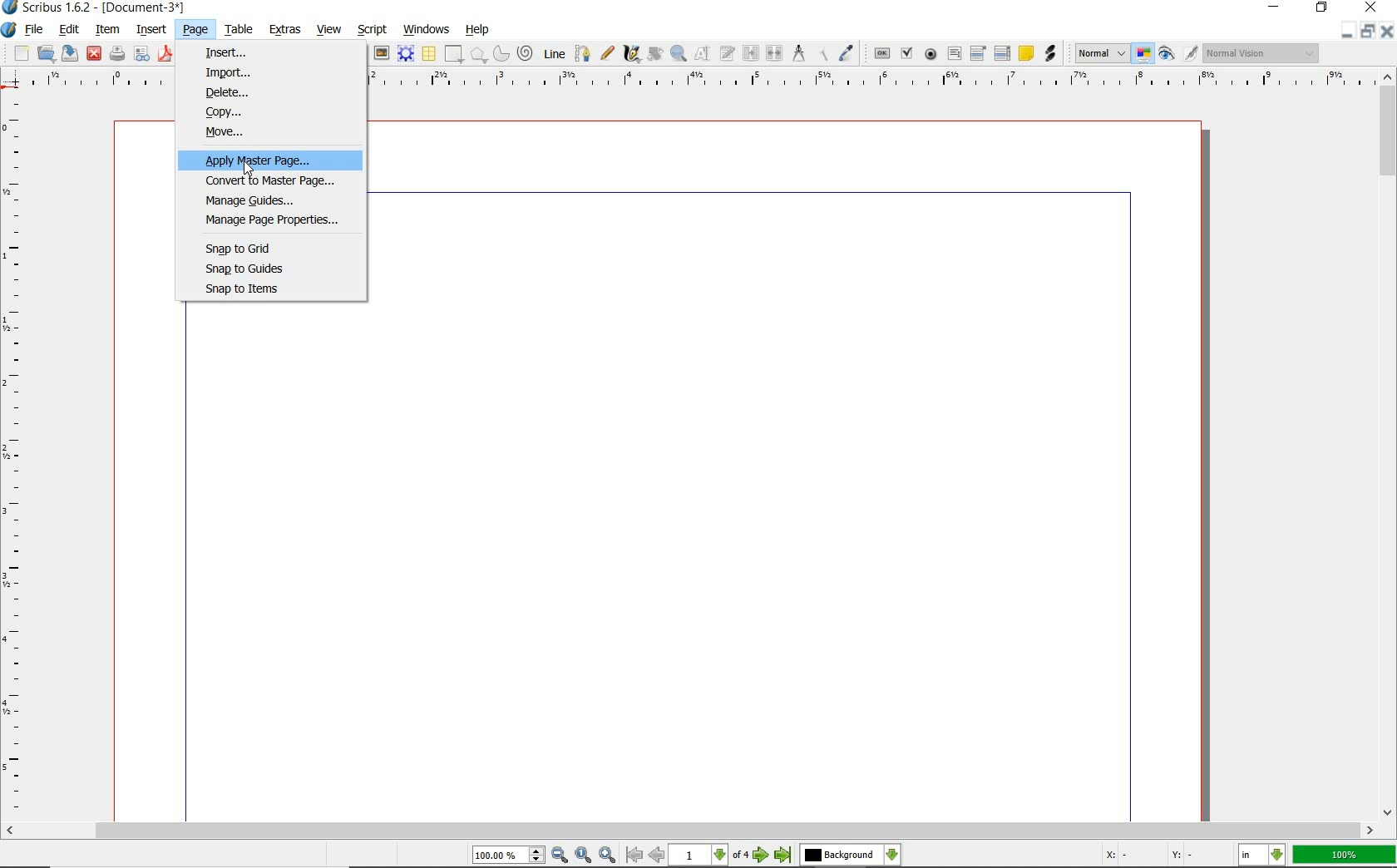  What do you see at coordinates (1024, 53) in the screenshot?
I see `text annotation` at bounding box center [1024, 53].